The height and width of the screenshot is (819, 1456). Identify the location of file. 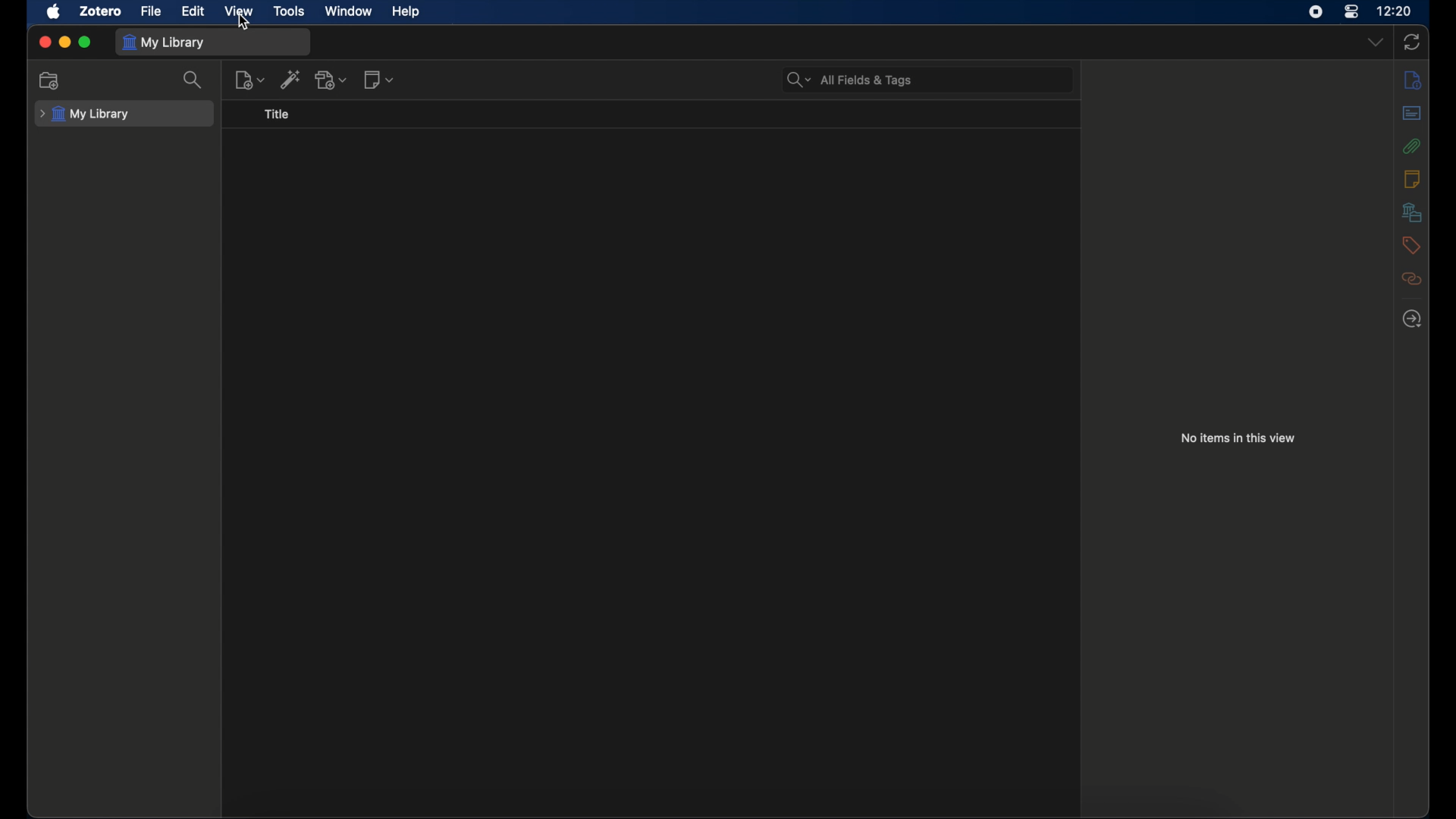
(152, 11).